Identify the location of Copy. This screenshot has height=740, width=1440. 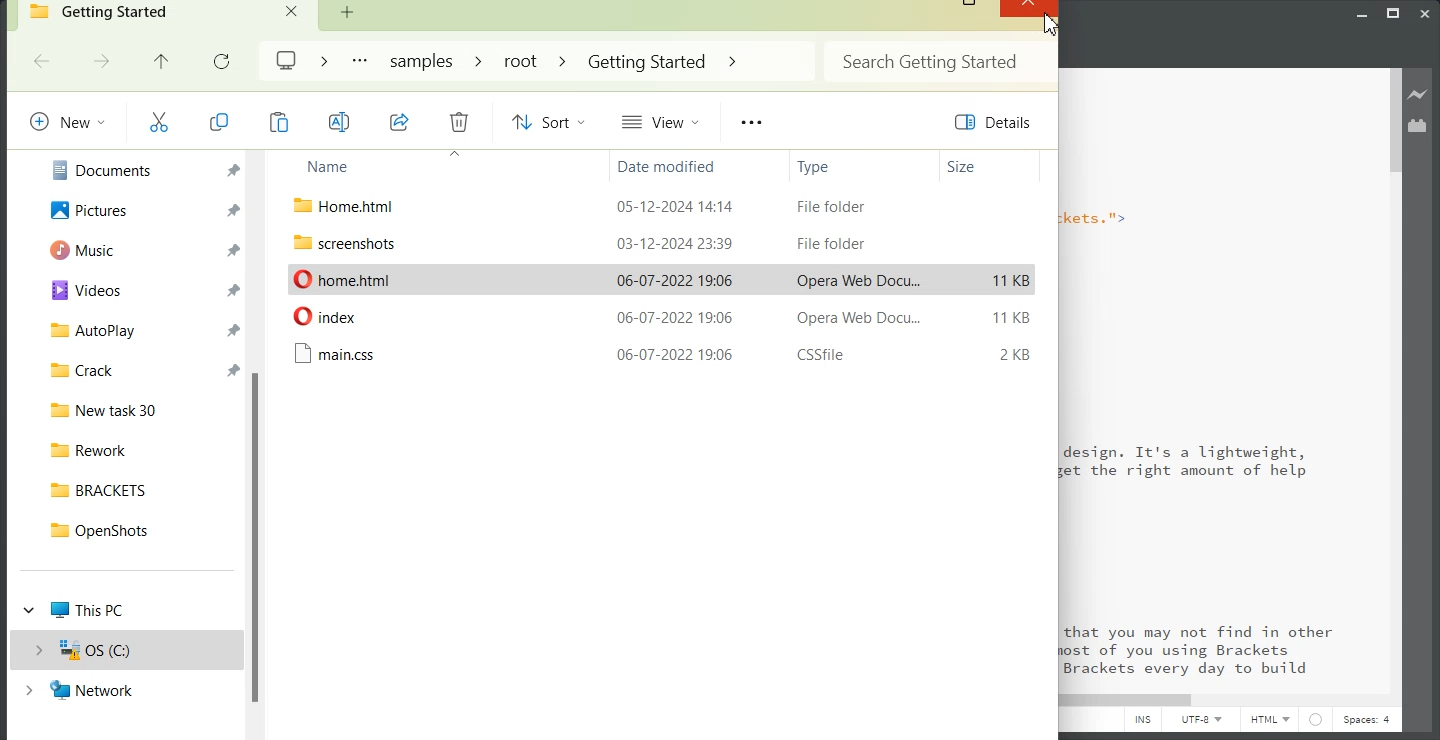
(279, 122).